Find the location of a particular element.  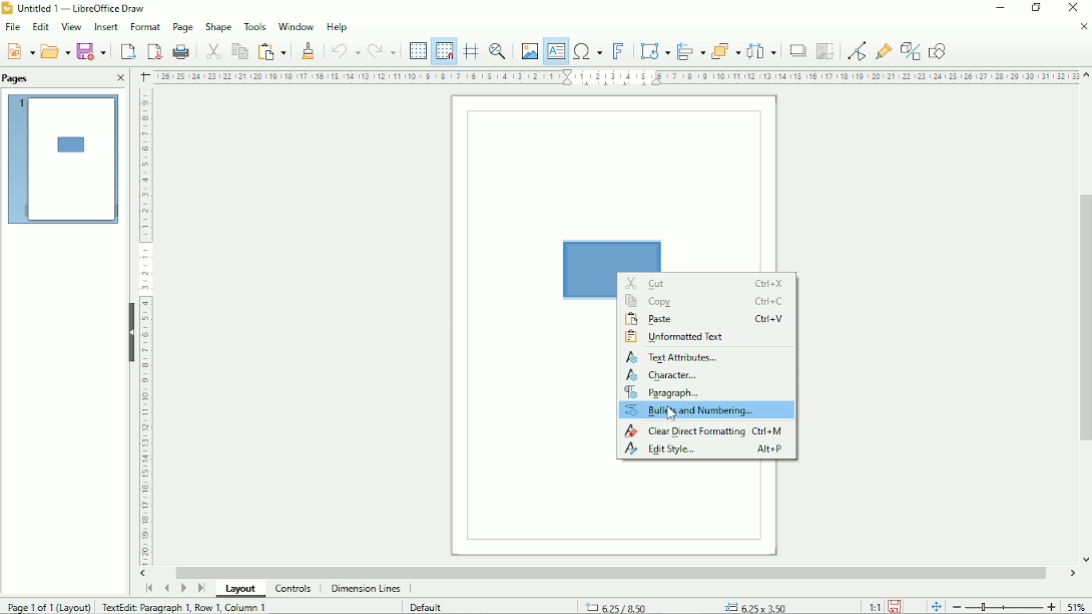

Toggle point edit mode is located at coordinates (857, 50).